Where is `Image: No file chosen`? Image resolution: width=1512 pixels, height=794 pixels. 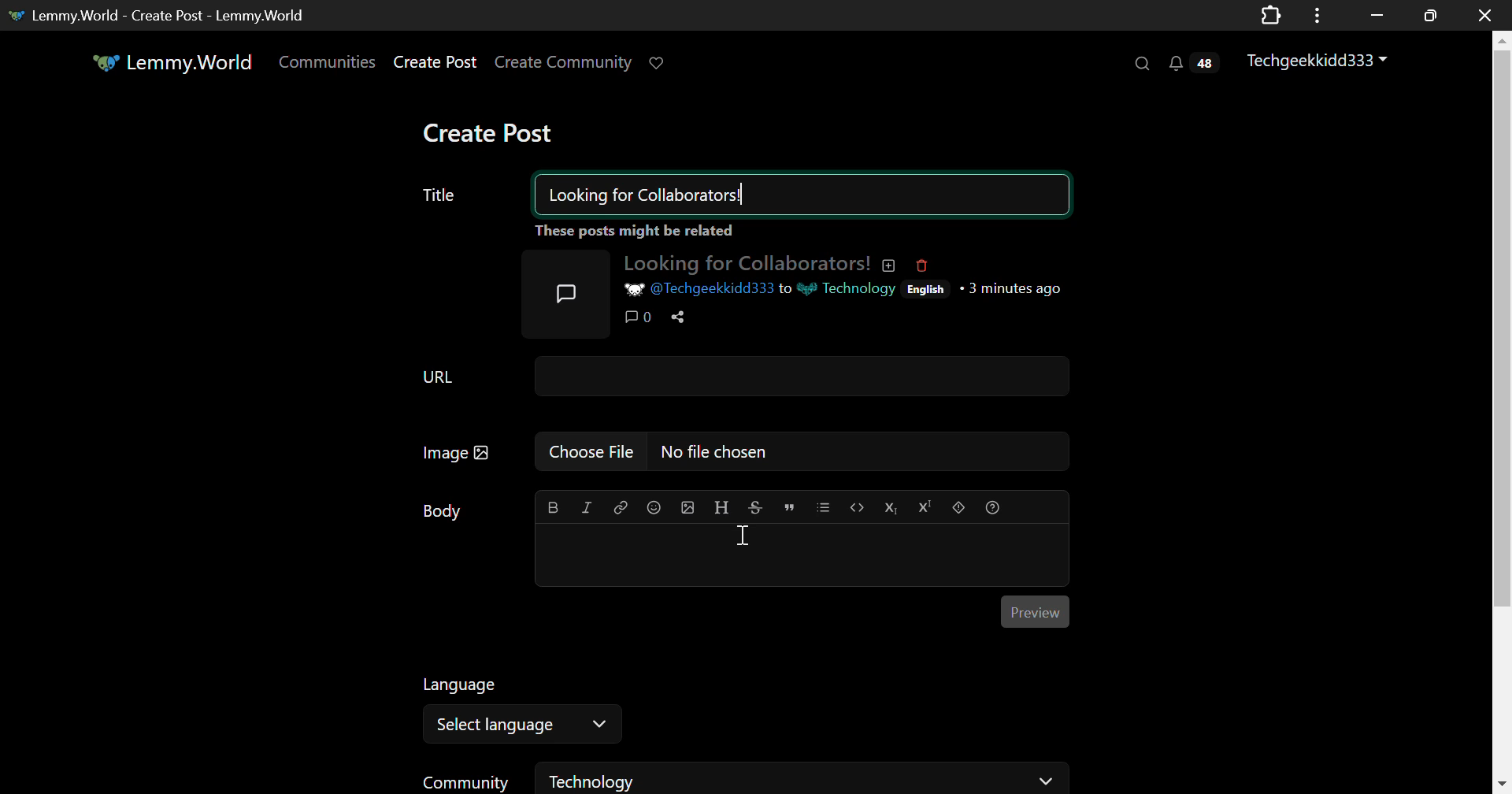 Image: No file chosen is located at coordinates (748, 451).